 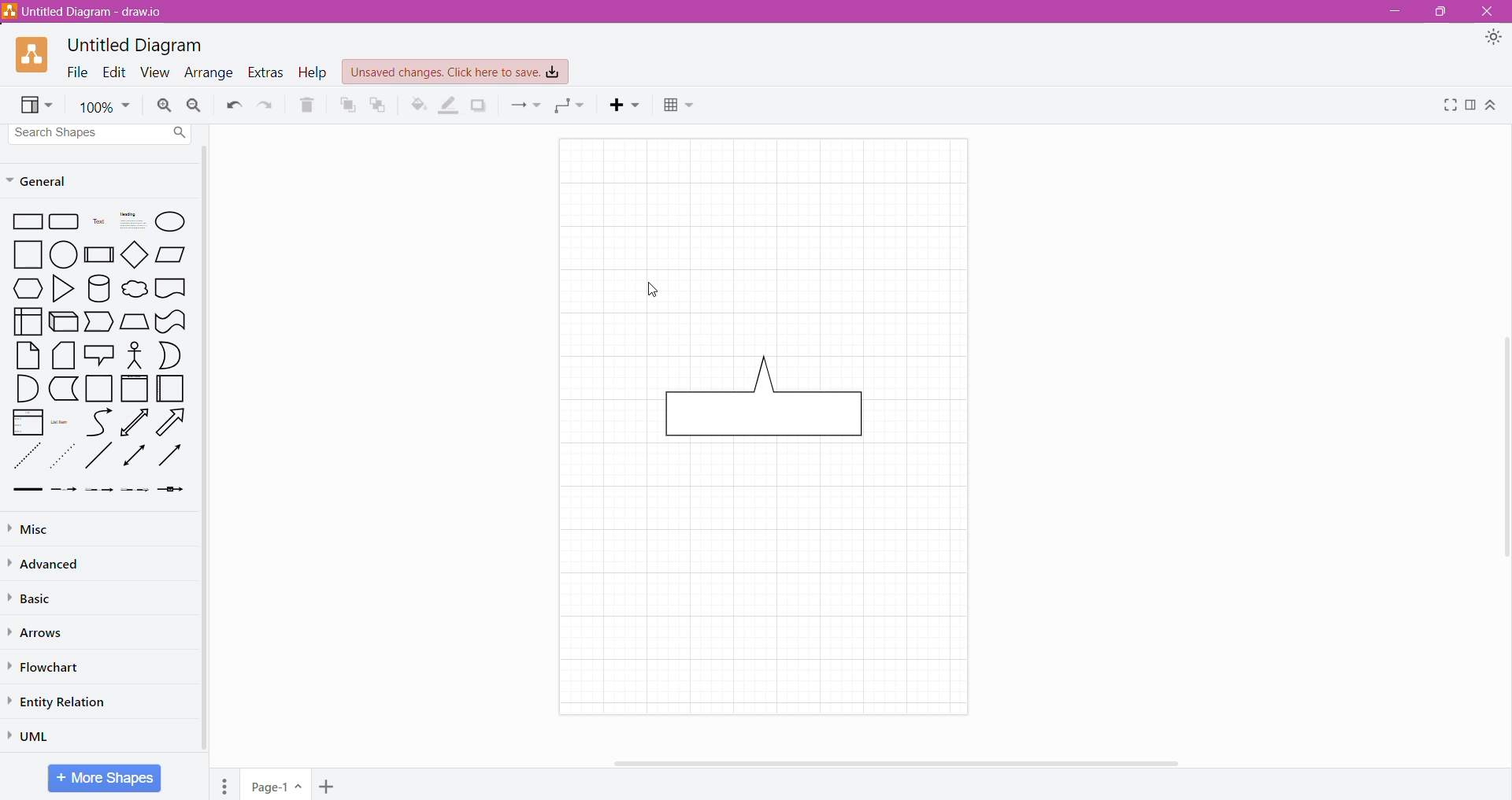 What do you see at coordinates (135, 354) in the screenshot?
I see `Stick Figure` at bounding box center [135, 354].